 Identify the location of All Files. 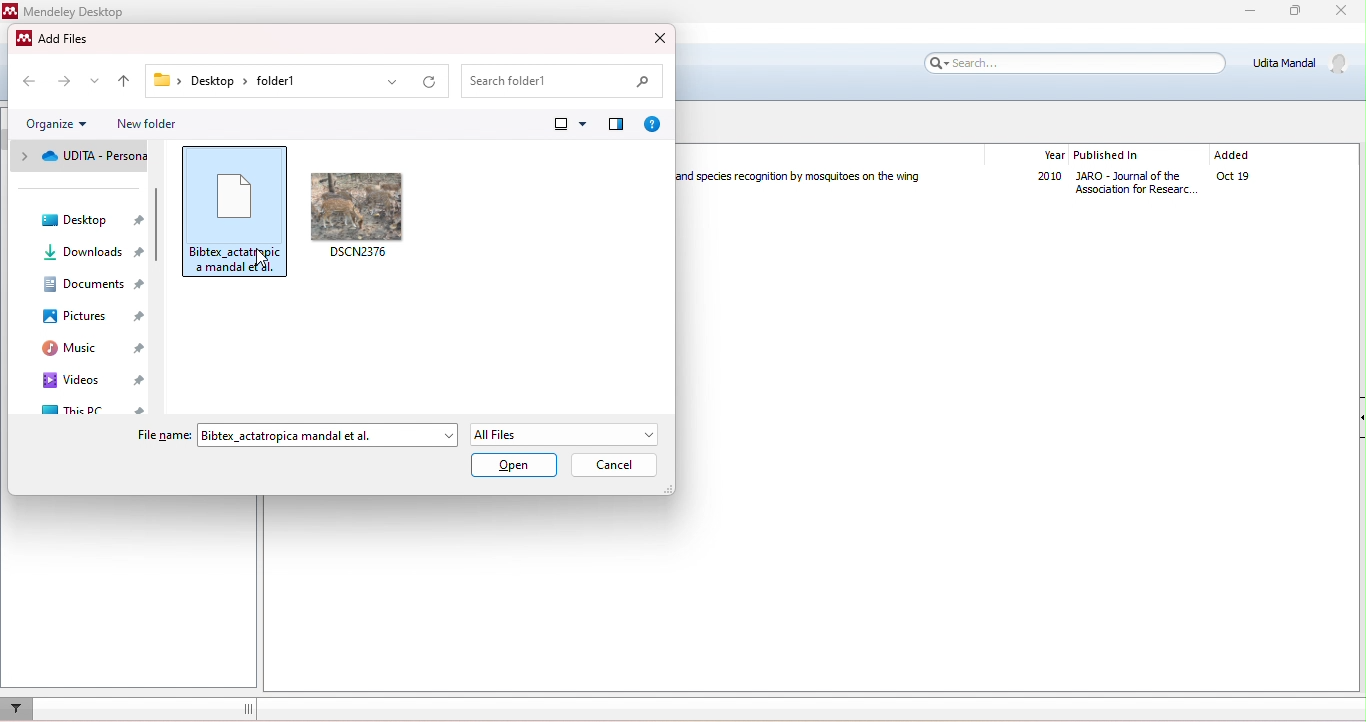
(565, 433).